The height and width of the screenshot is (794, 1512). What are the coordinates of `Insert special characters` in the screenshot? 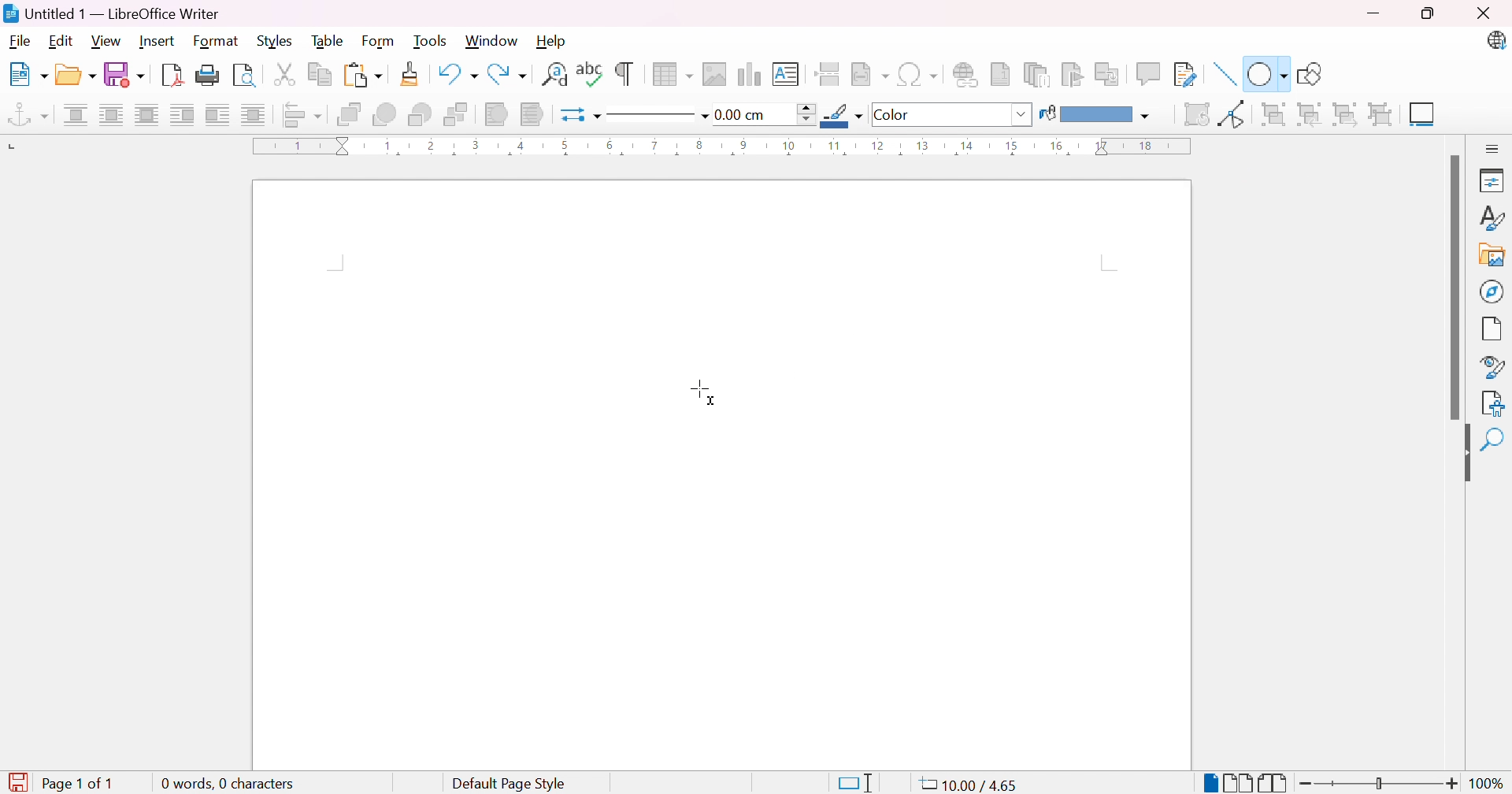 It's located at (917, 73).